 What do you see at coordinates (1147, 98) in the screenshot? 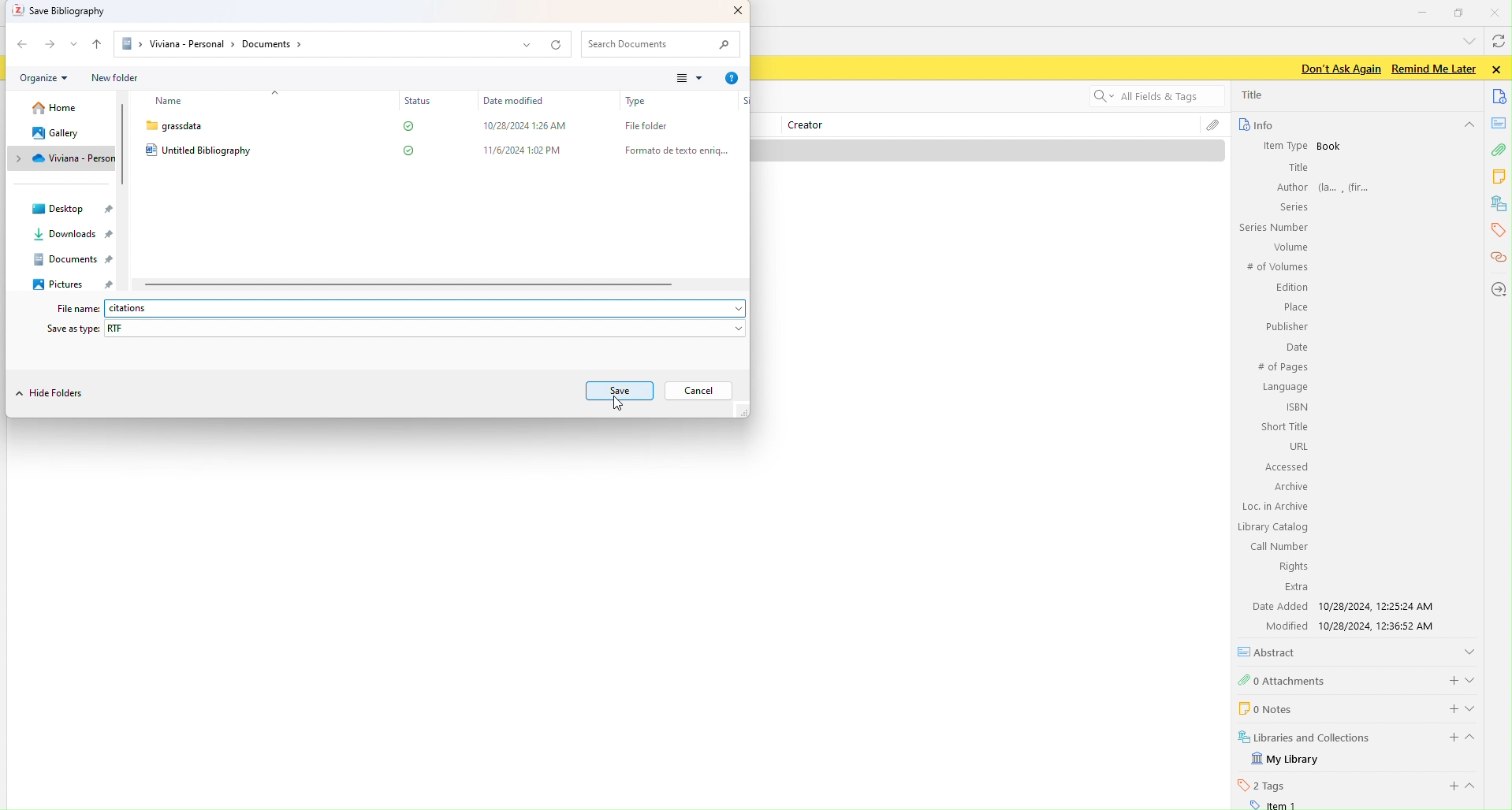
I see `All fields and tags` at bounding box center [1147, 98].